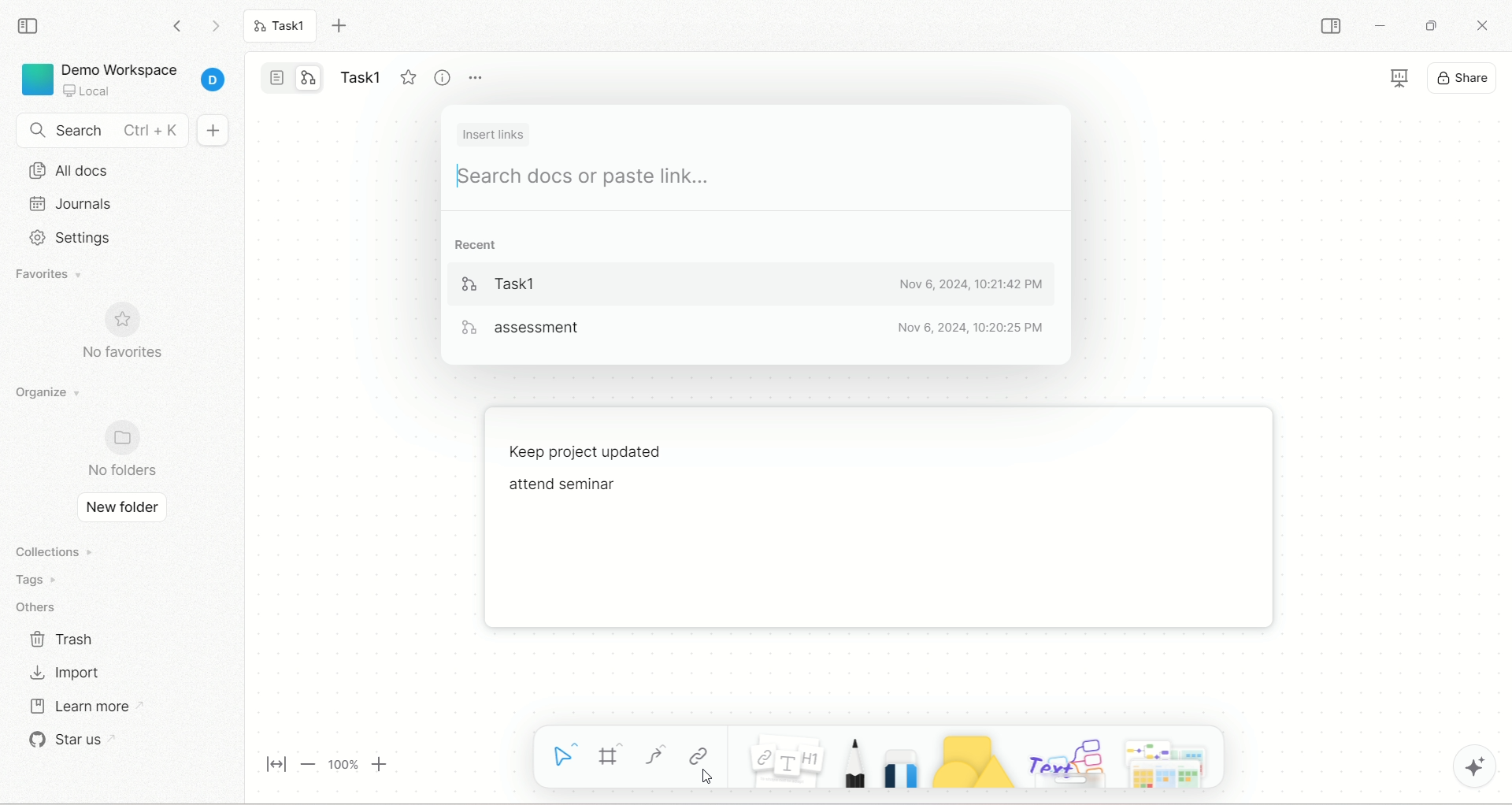 The image size is (1512, 805). What do you see at coordinates (1170, 762) in the screenshot?
I see `template` at bounding box center [1170, 762].